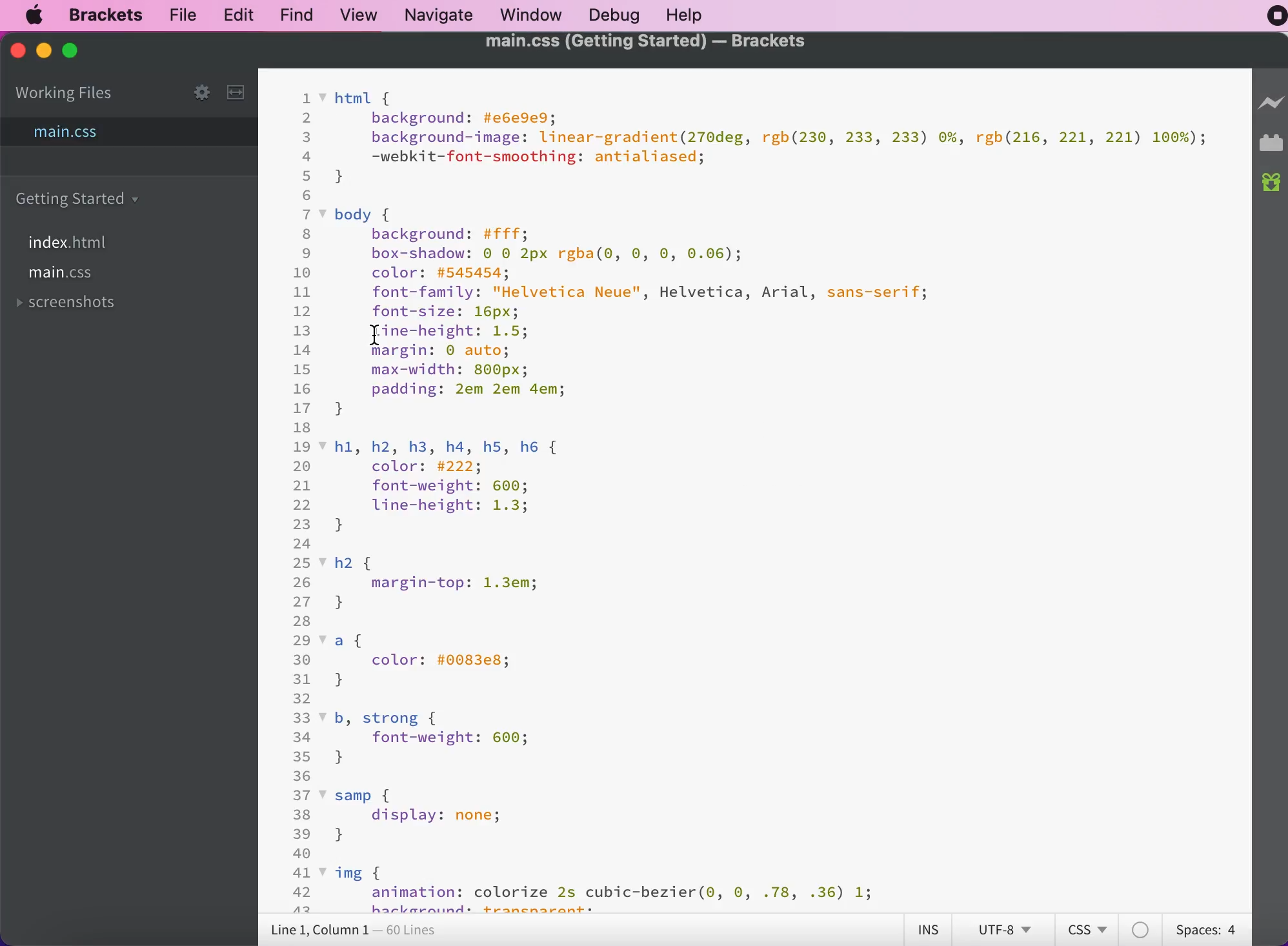 The height and width of the screenshot is (946, 1288). I want to click on 8, so click(306, 234).